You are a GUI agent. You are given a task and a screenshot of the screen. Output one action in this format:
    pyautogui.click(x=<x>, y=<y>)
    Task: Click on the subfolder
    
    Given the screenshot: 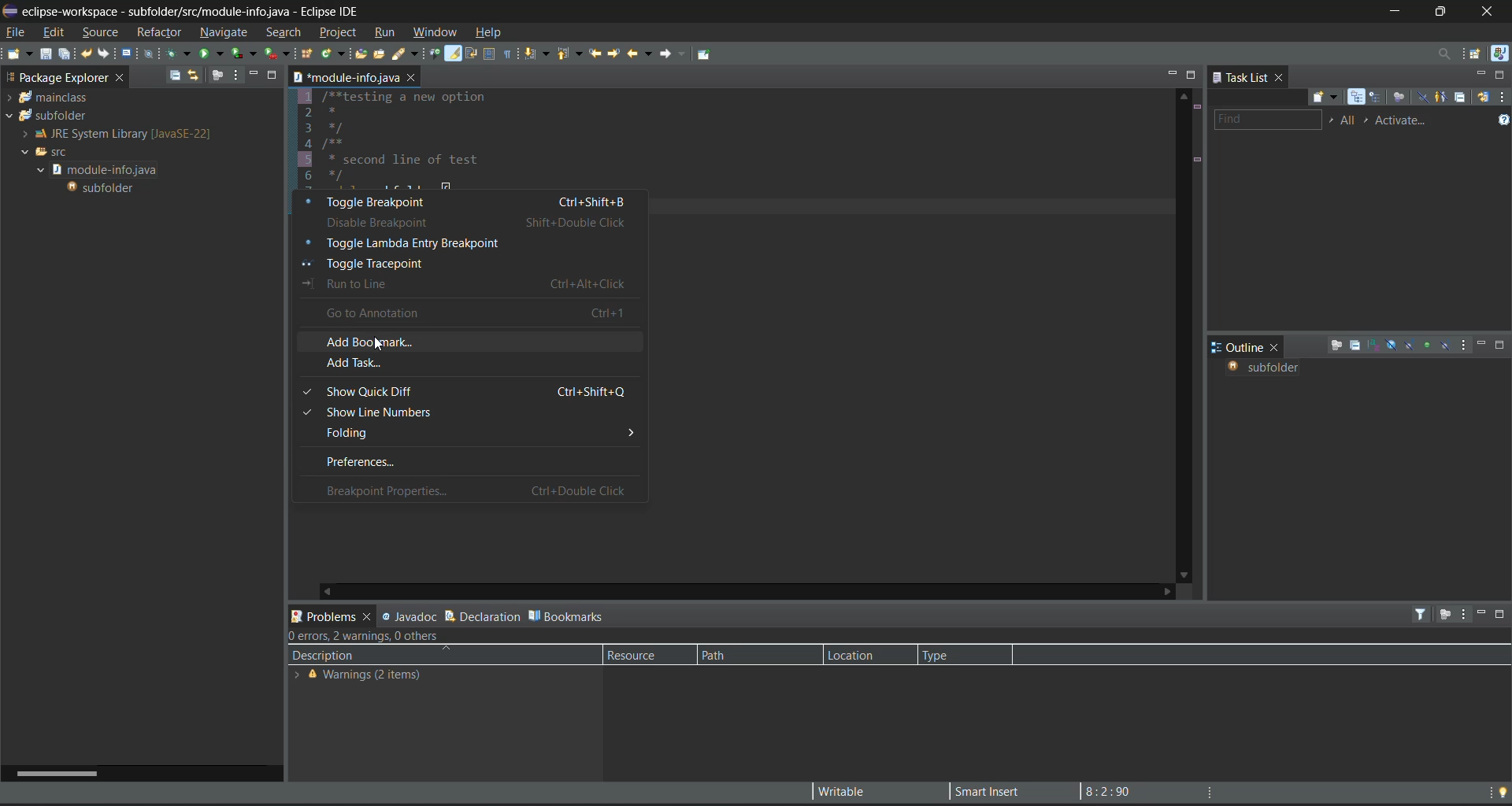 What is the action you would take?
    pyautogui.click(x=103, y=188)
    